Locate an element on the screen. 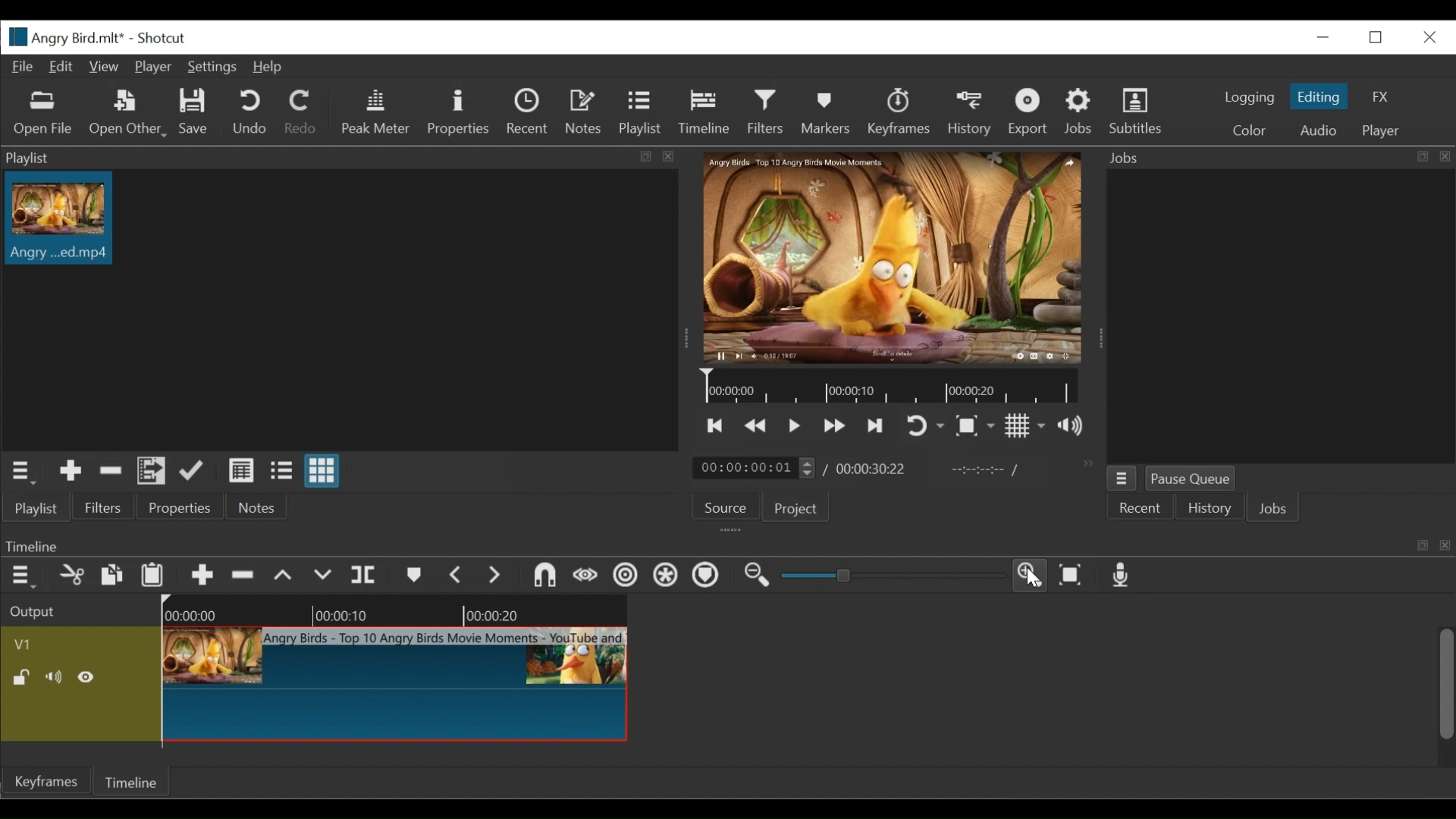 The height and width of the screenshot is (819, 1456). Filters is located at coordinates (102, 507).